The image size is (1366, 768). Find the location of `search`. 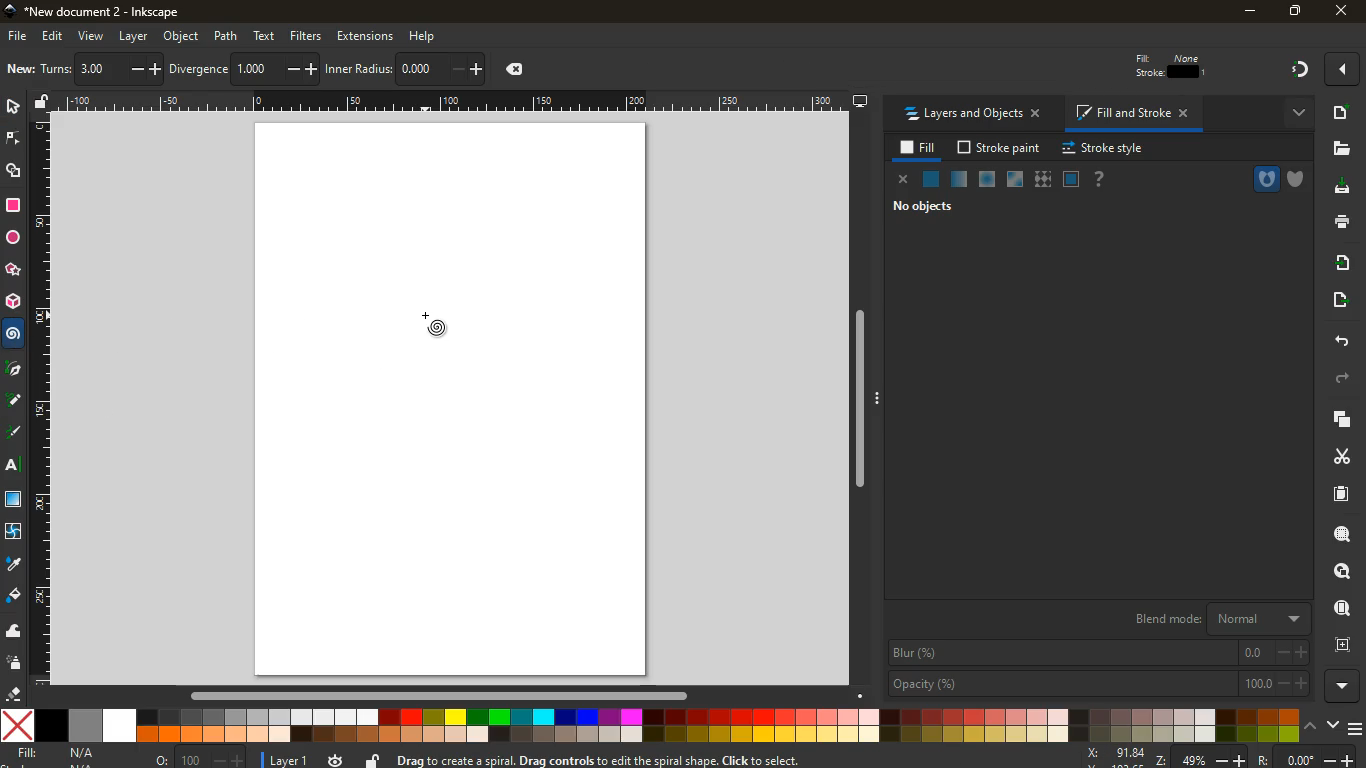

search is located at coordinates (1337, 537).